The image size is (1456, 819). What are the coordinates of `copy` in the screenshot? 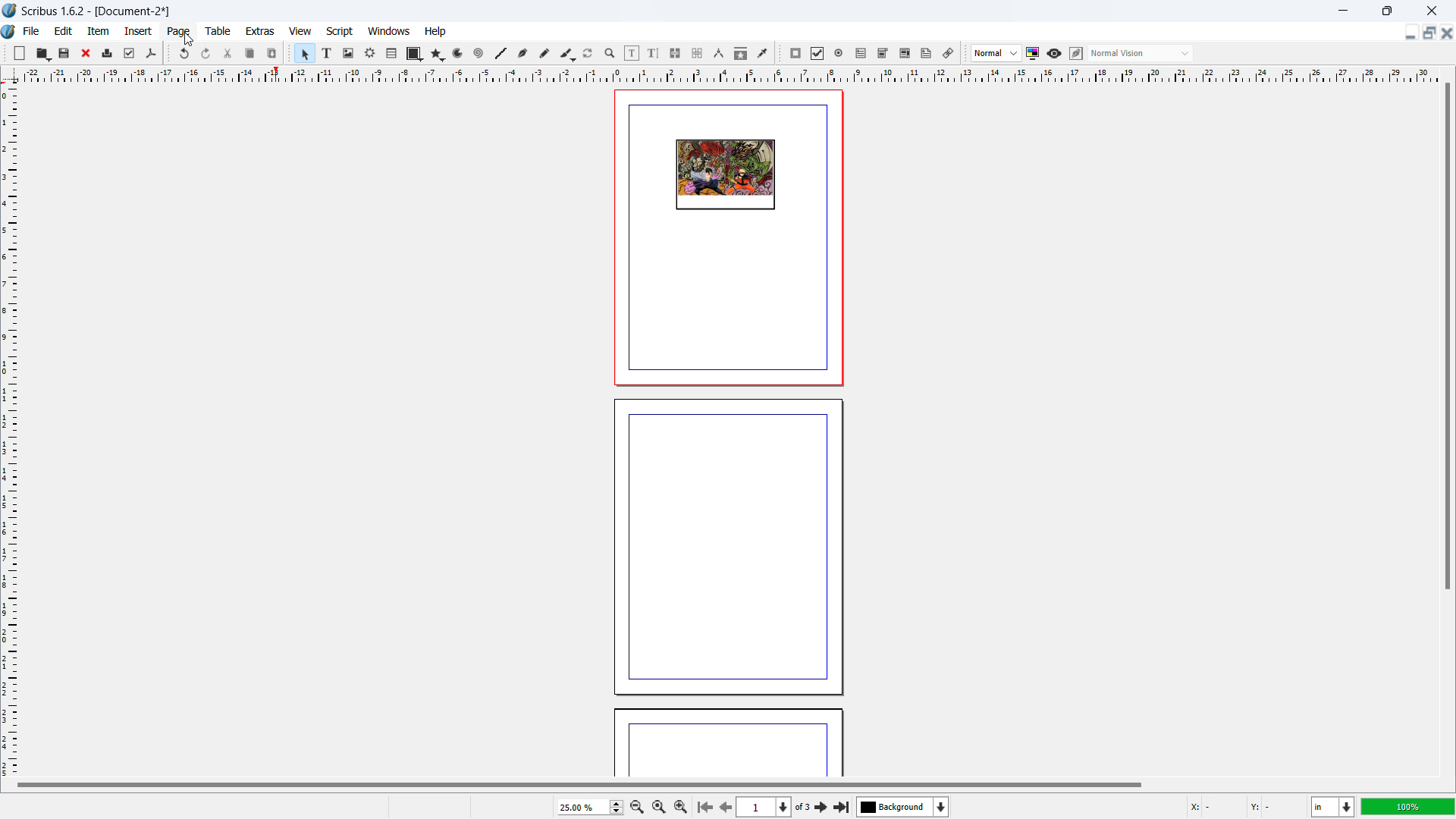 It's located at (251, 53).